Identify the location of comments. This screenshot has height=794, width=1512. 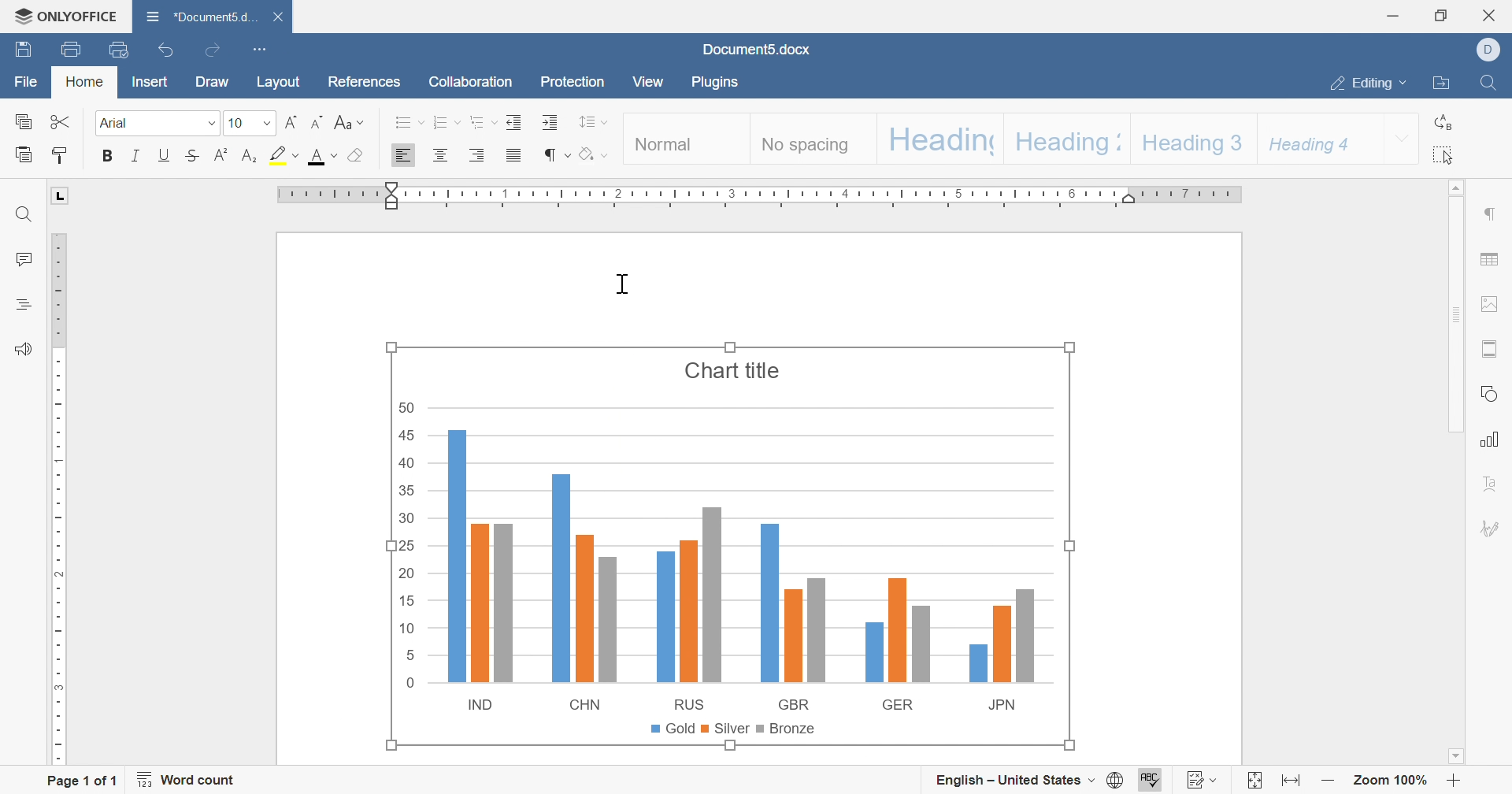
(24, 258).